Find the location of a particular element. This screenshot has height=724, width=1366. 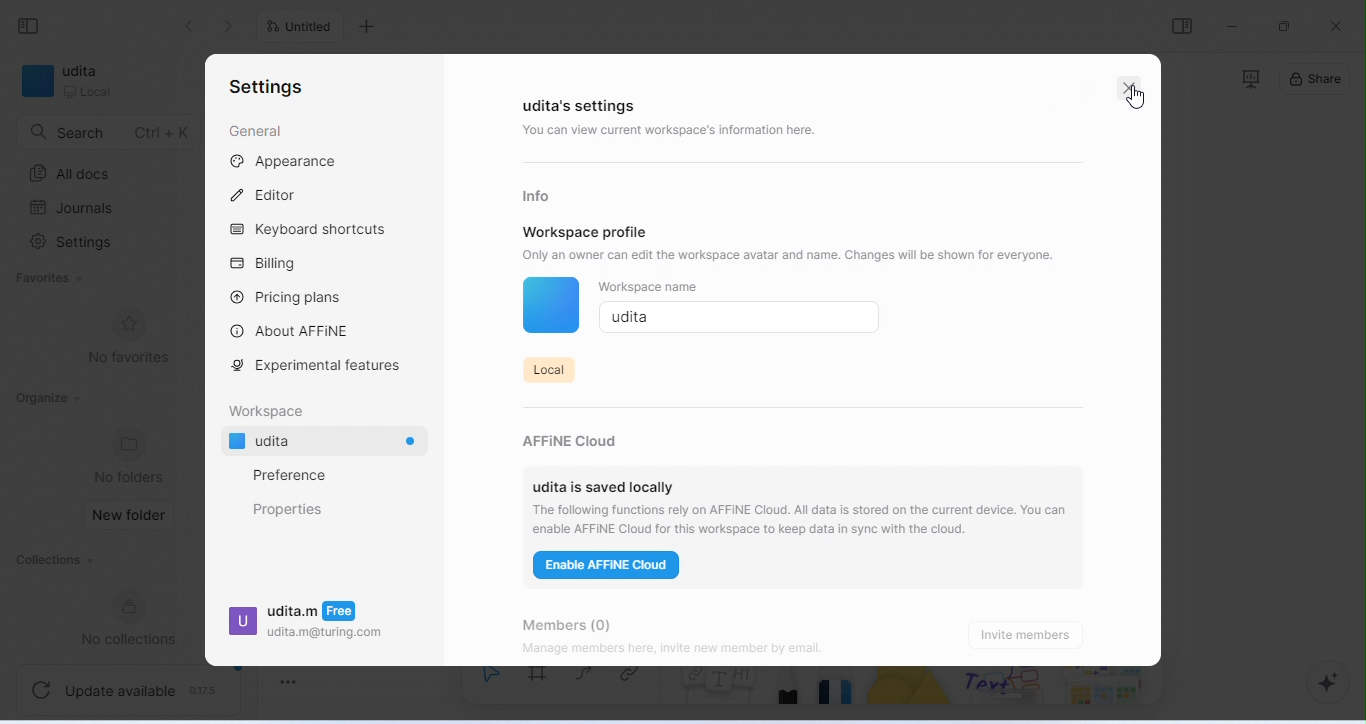

appearance is located at coordinates (285, 162).